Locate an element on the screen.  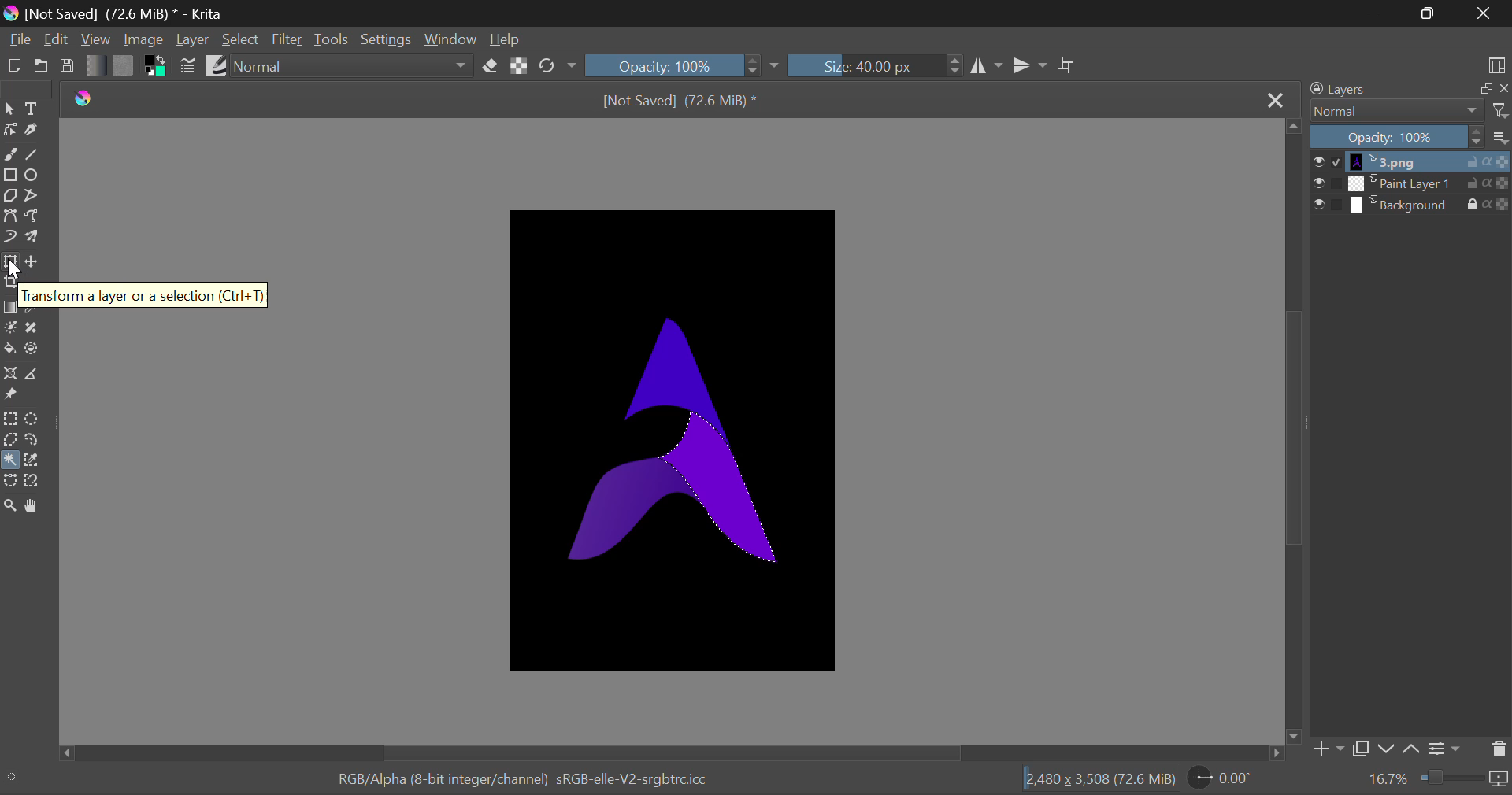
Gradient is located at coordinates (94, 66).